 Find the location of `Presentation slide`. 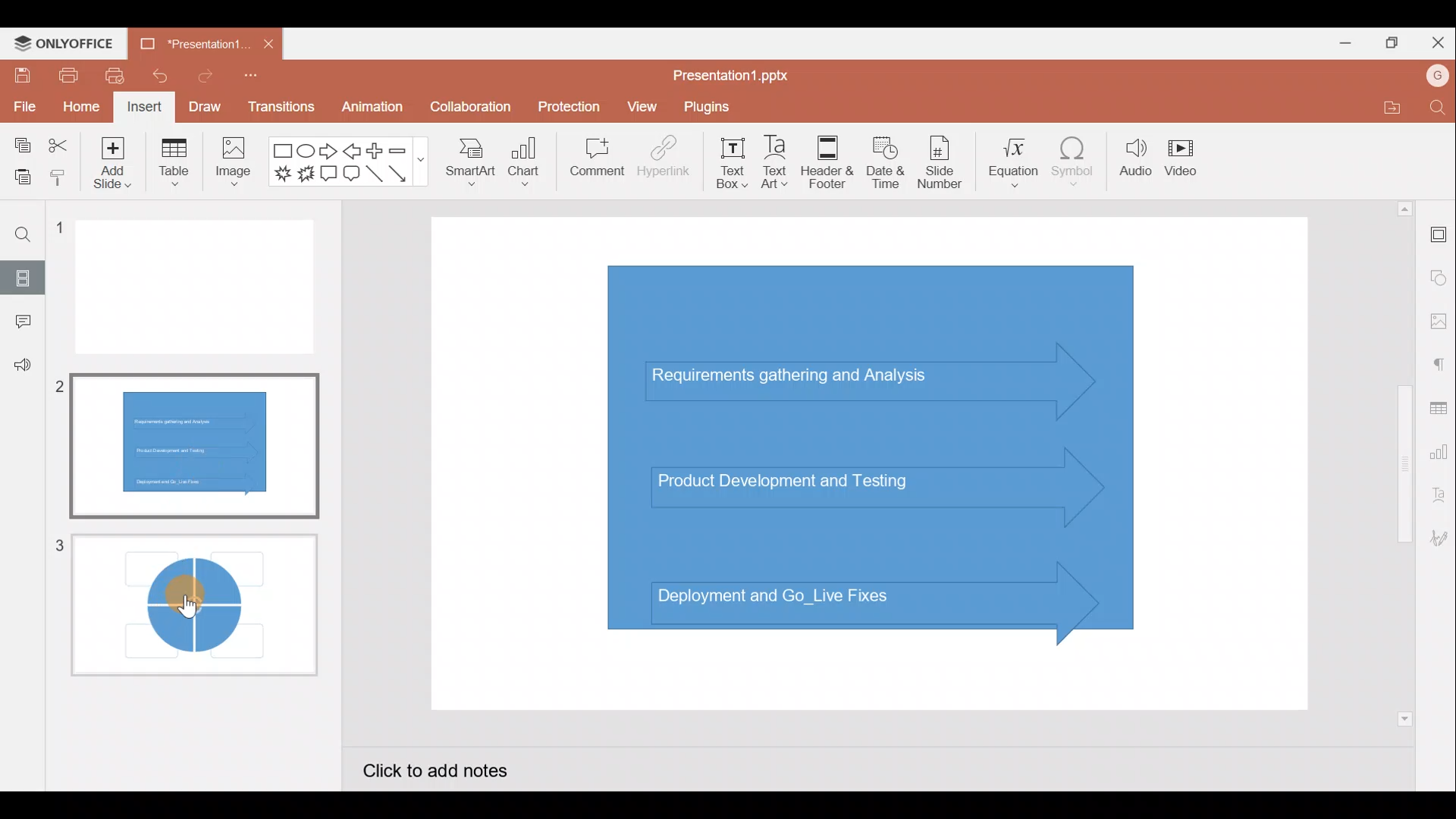

Presentation slide is located at coordinates (875, 462).